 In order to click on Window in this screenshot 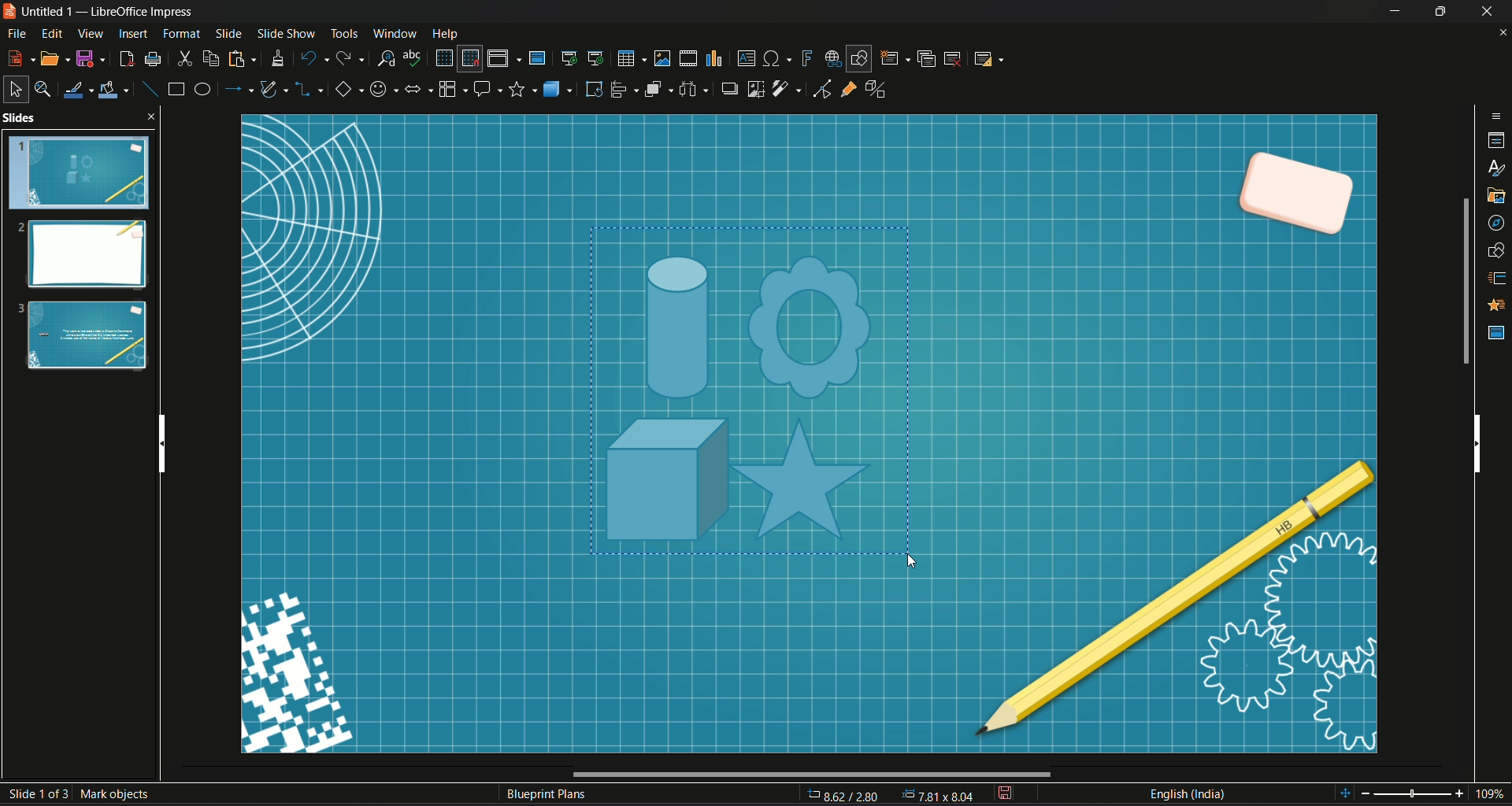, I will do `click(391, 32)`.